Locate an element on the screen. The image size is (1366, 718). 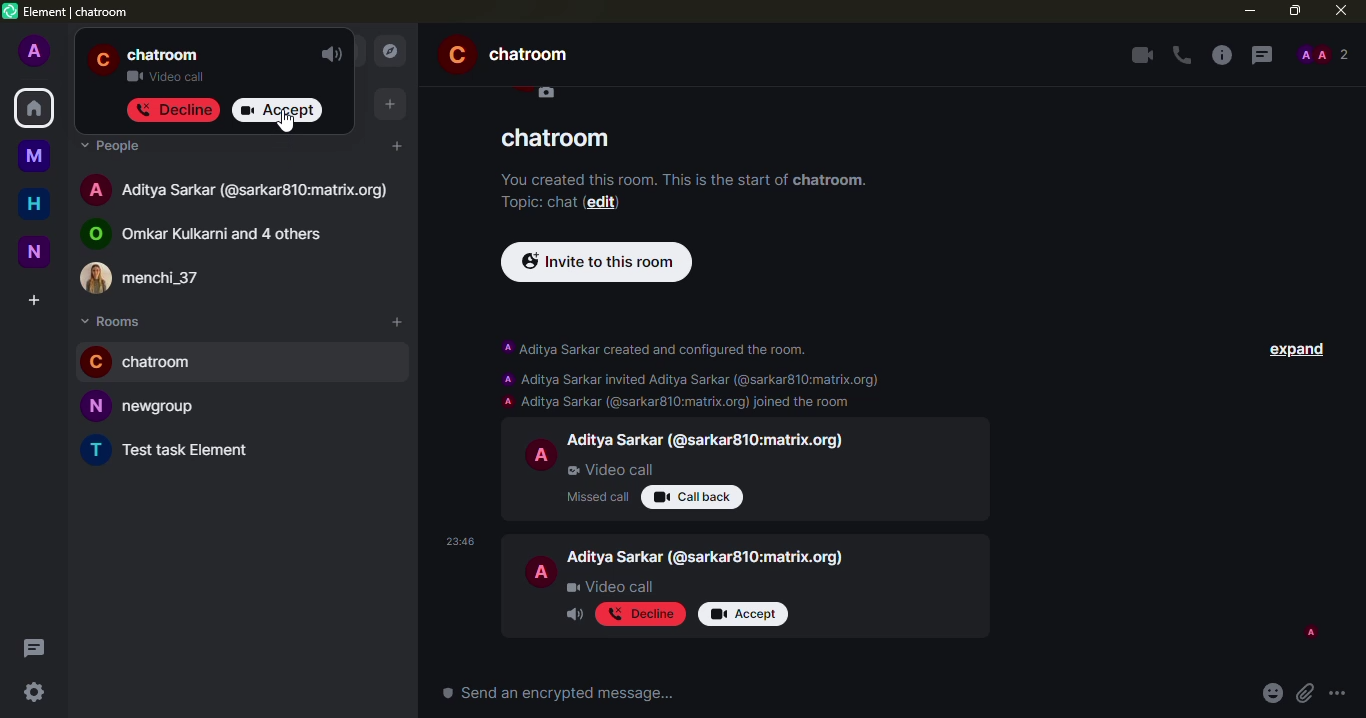
threads is located at coordinates (38, 648).